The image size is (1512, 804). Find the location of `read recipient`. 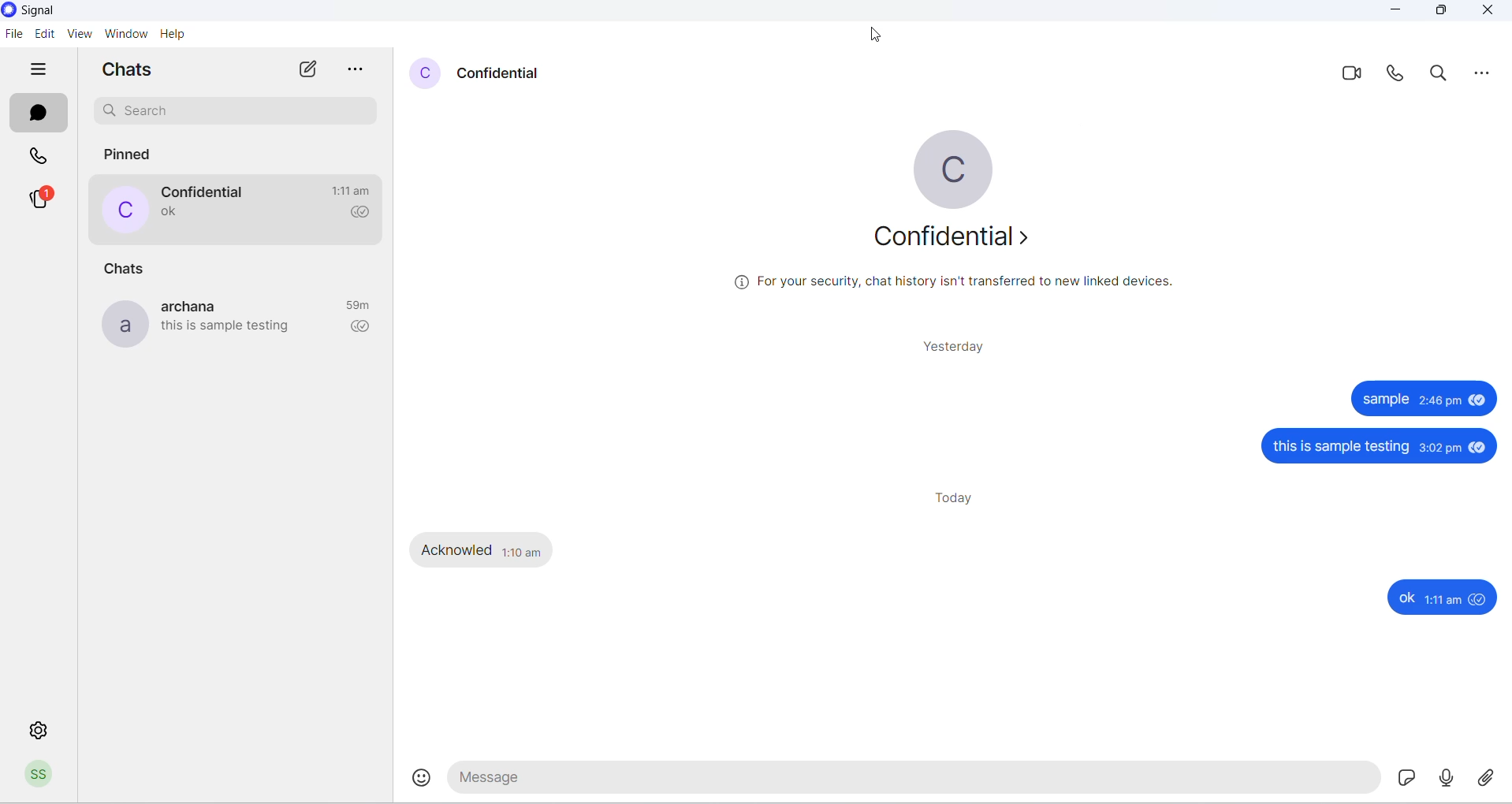

read recipient is located at coordinates (360, 326).